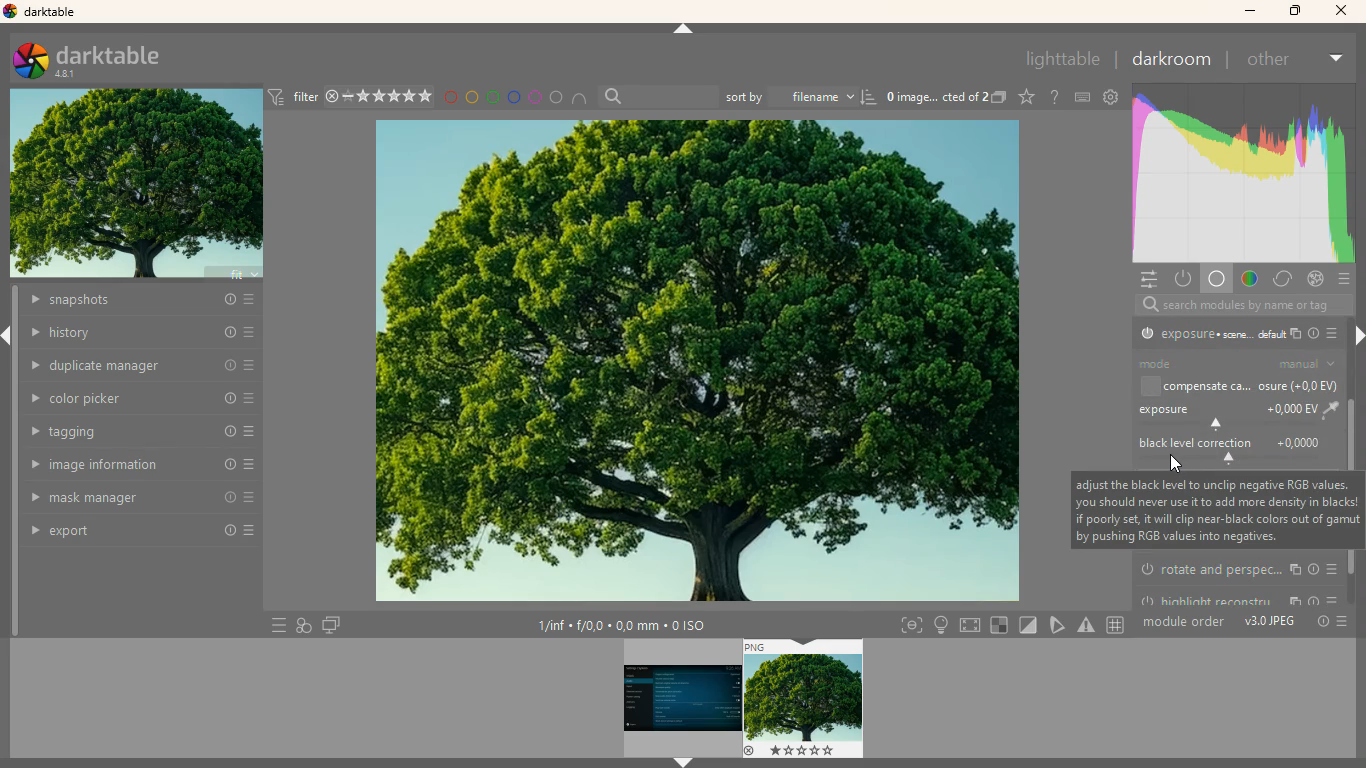 This screenshot has width=1366, height=768. I want to click on darktable, so click(100, 62).